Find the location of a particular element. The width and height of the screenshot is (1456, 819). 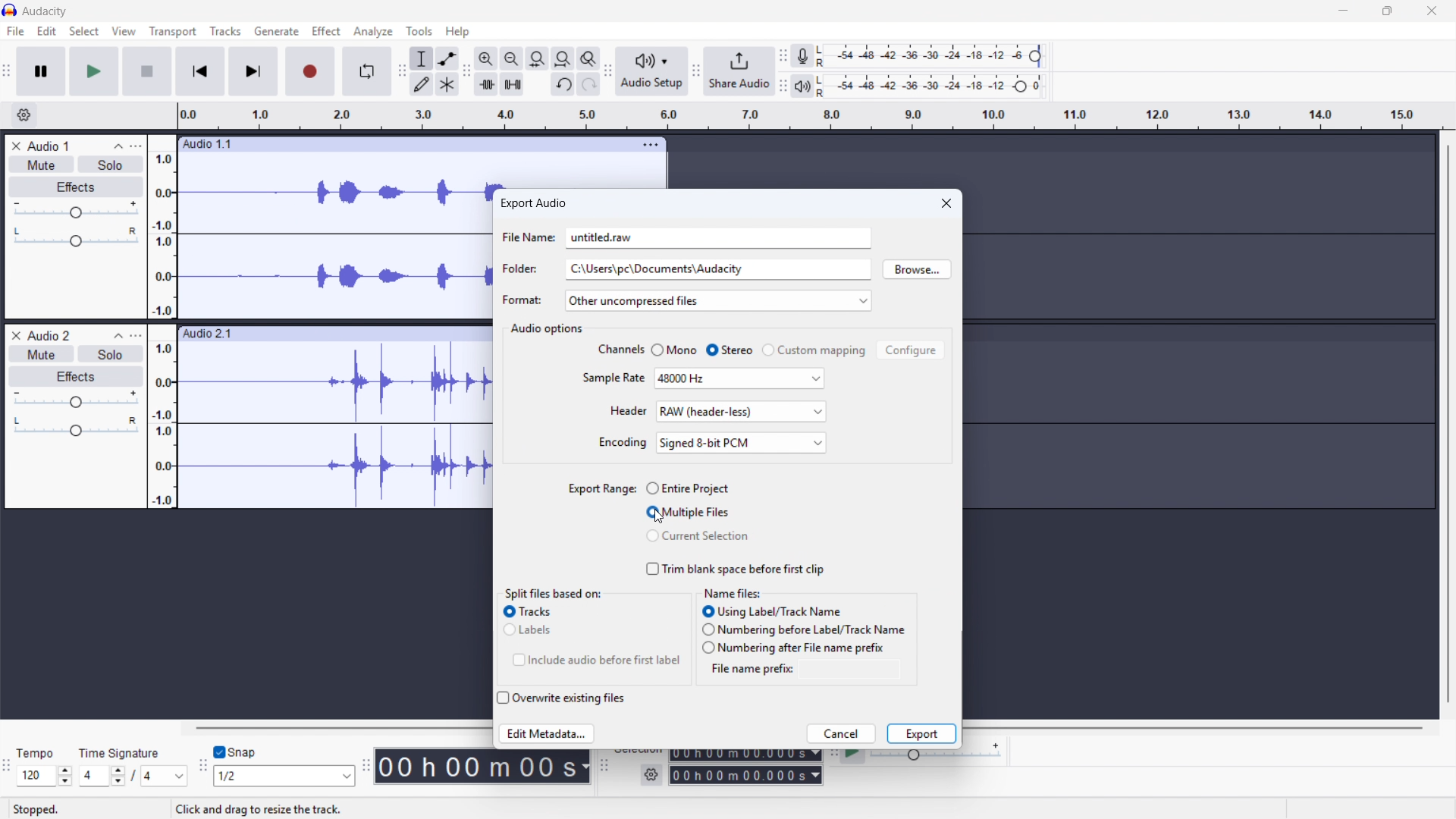

Vertical scrollbar is located at coordinates (1448, 424).